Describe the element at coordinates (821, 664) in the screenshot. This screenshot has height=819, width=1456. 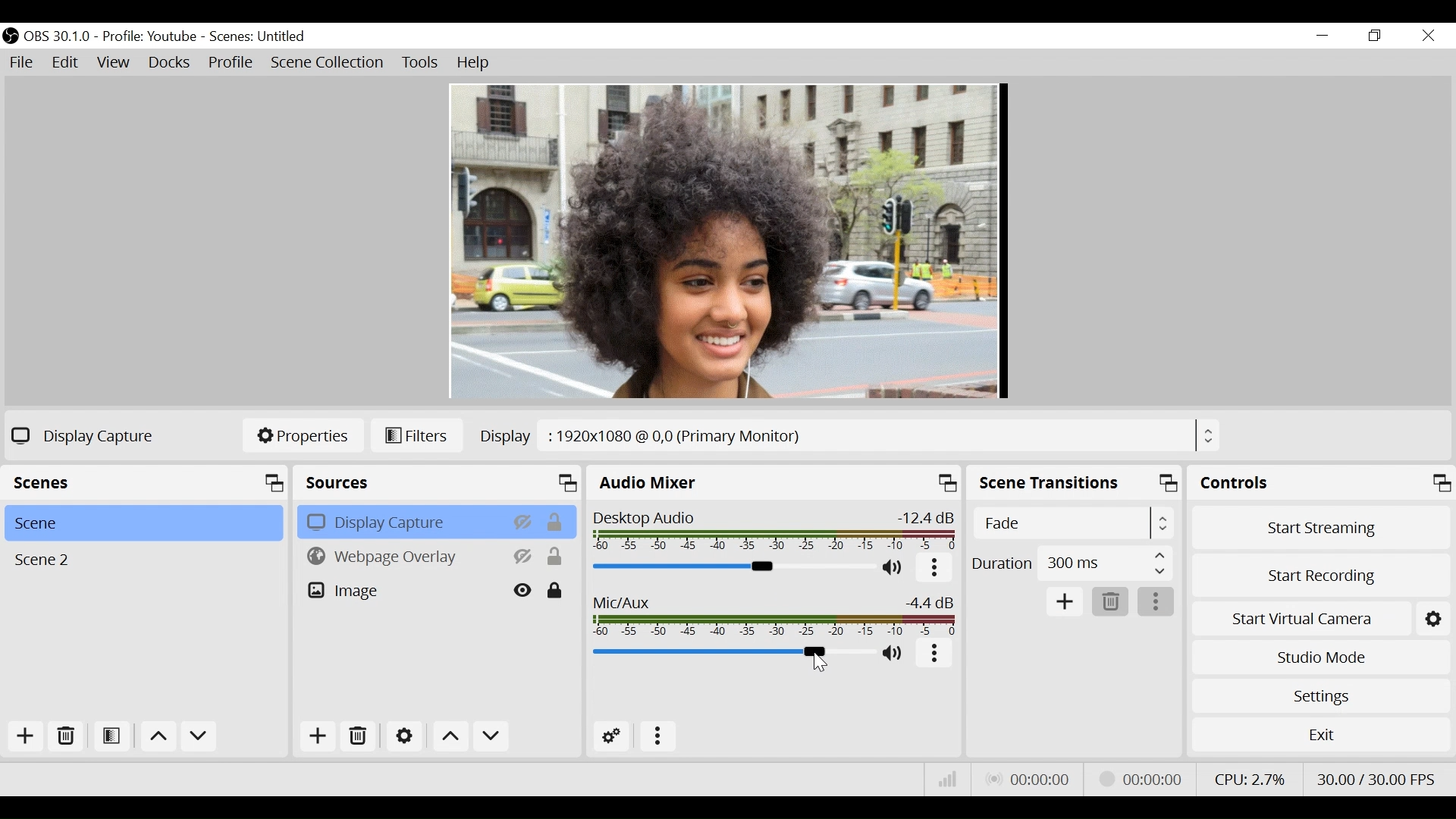
I see `cursor` at that location.